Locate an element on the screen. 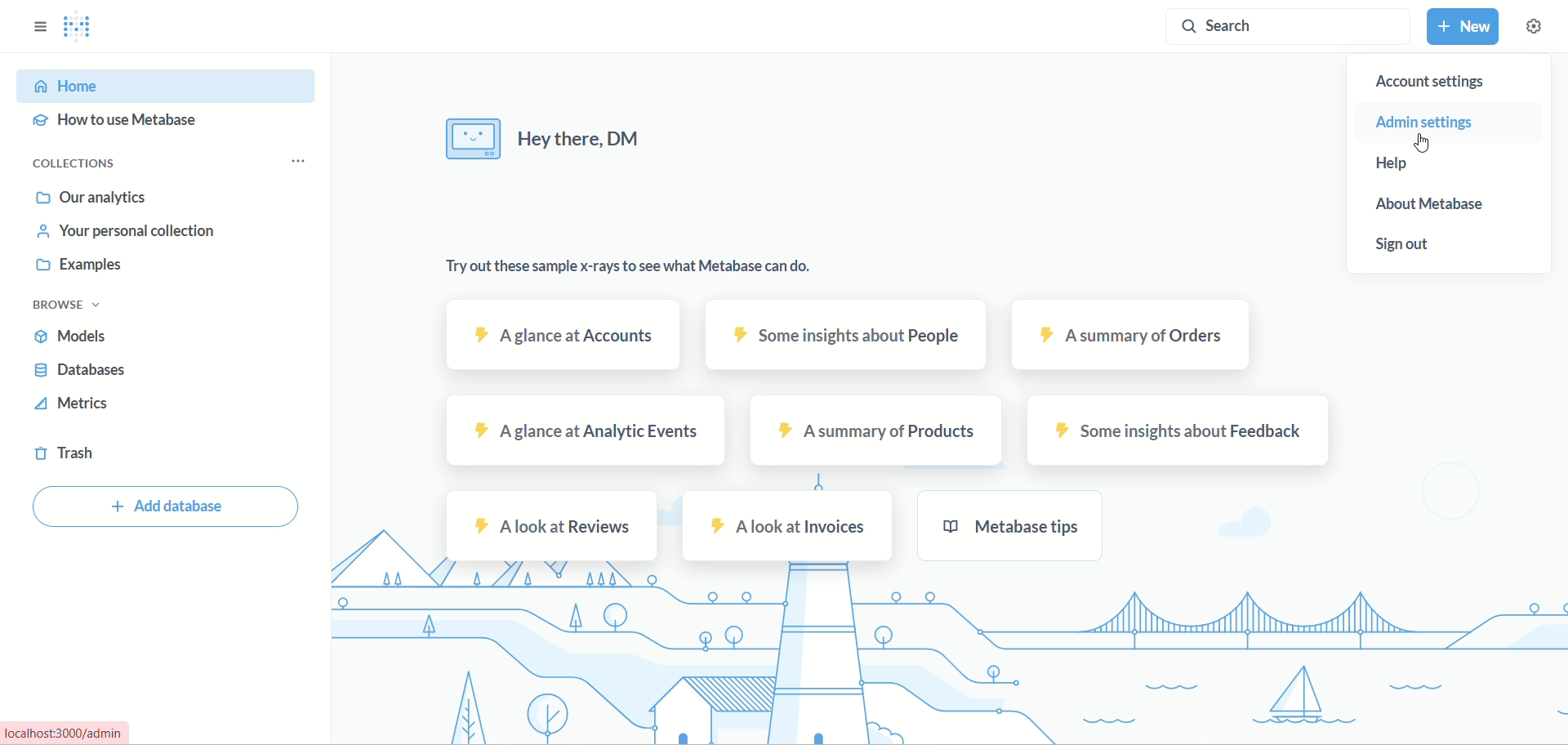 This screenshot has width=1568, height=745. events is located at coordinates (587, 430).